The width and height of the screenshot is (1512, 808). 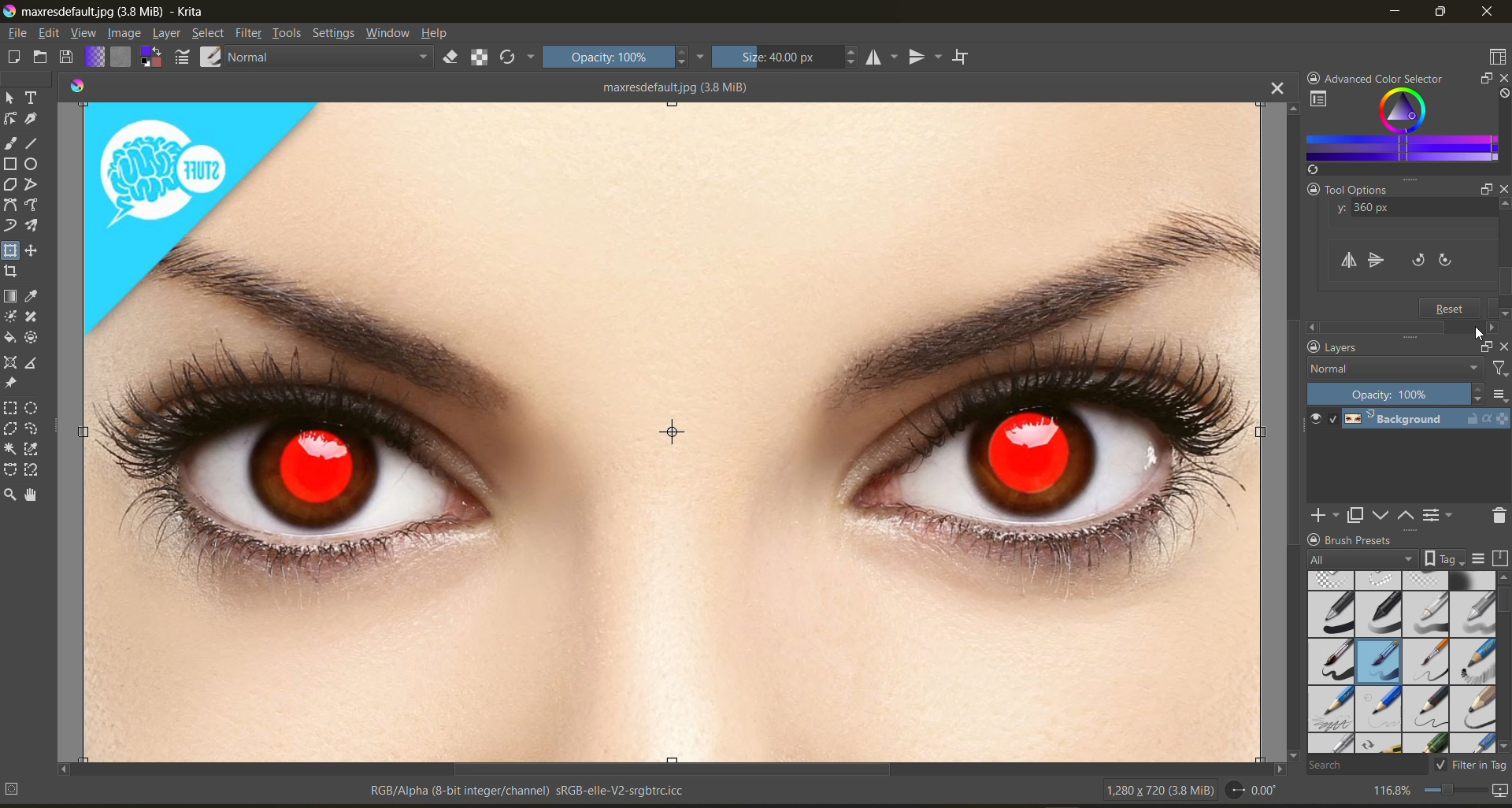 What do you see at coordinates (439, 34) in the screenshot?
I see `help` at bounding box center [439, 34].